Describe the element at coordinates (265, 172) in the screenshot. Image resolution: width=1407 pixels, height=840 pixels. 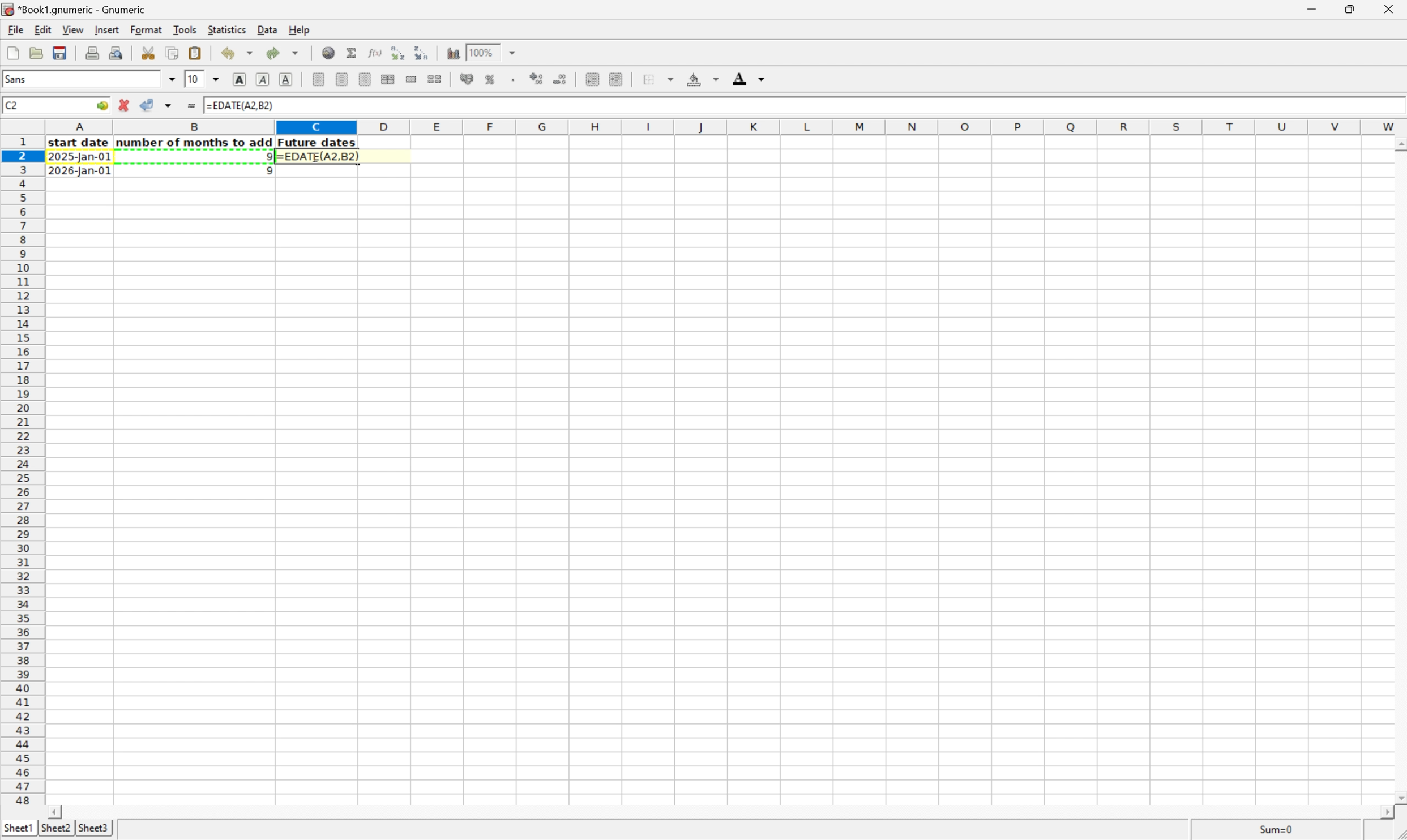
I see `9` at that location.